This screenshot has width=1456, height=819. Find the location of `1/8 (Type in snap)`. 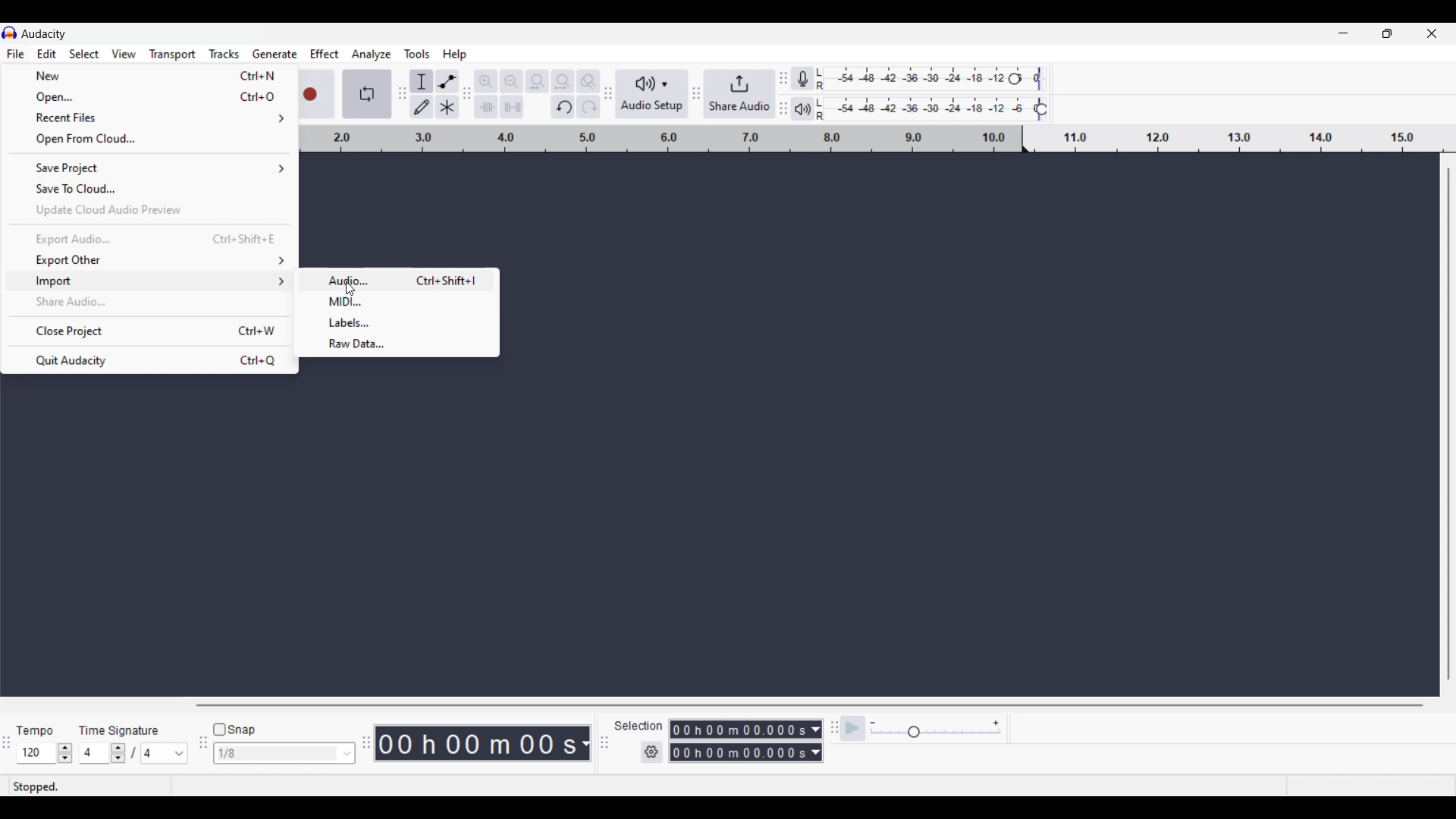

1/8 (Type in snap) is located at coordinates (274, 755).